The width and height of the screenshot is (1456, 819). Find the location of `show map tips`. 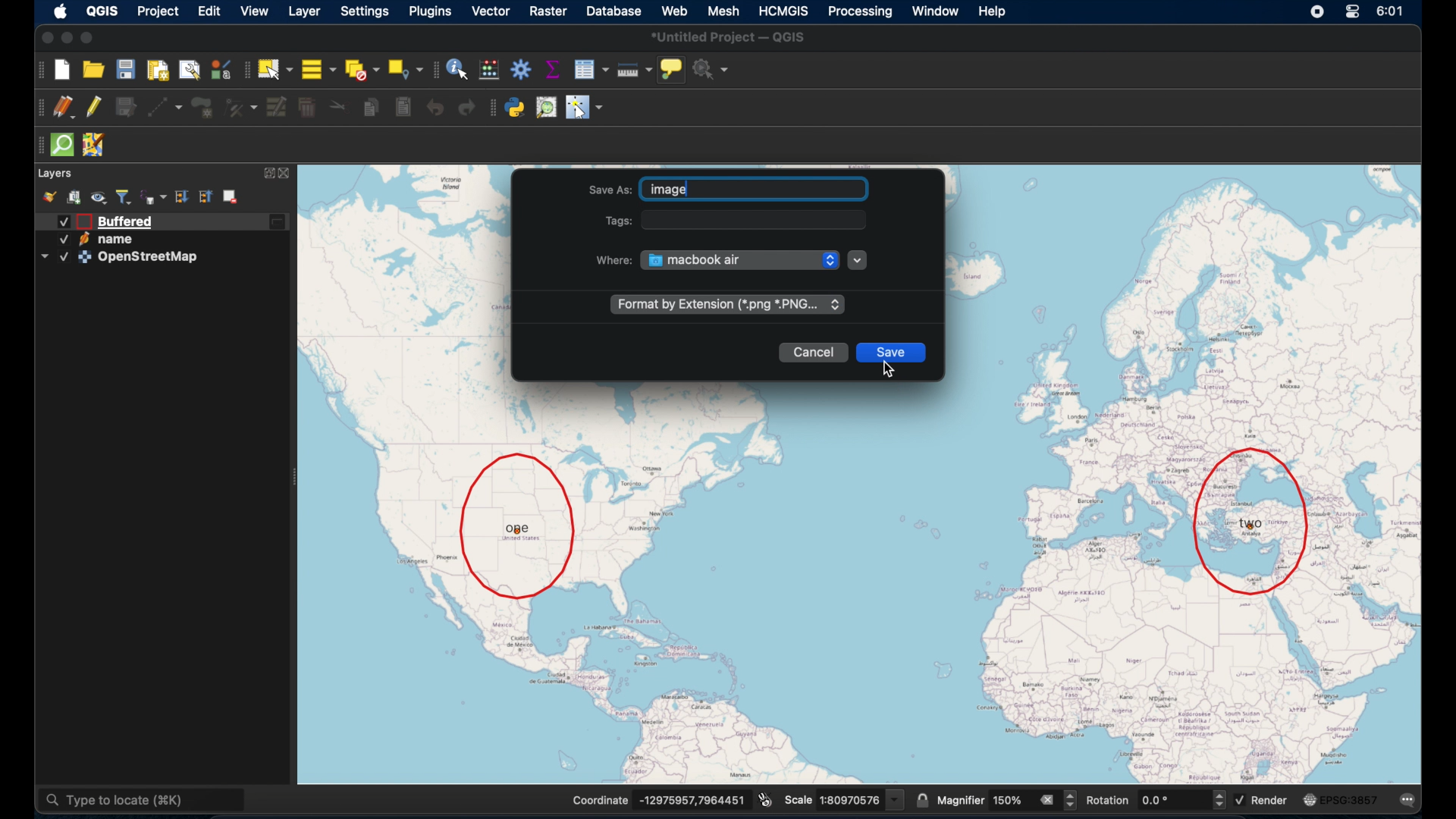

show map tips is located at coordinates (673, 69).